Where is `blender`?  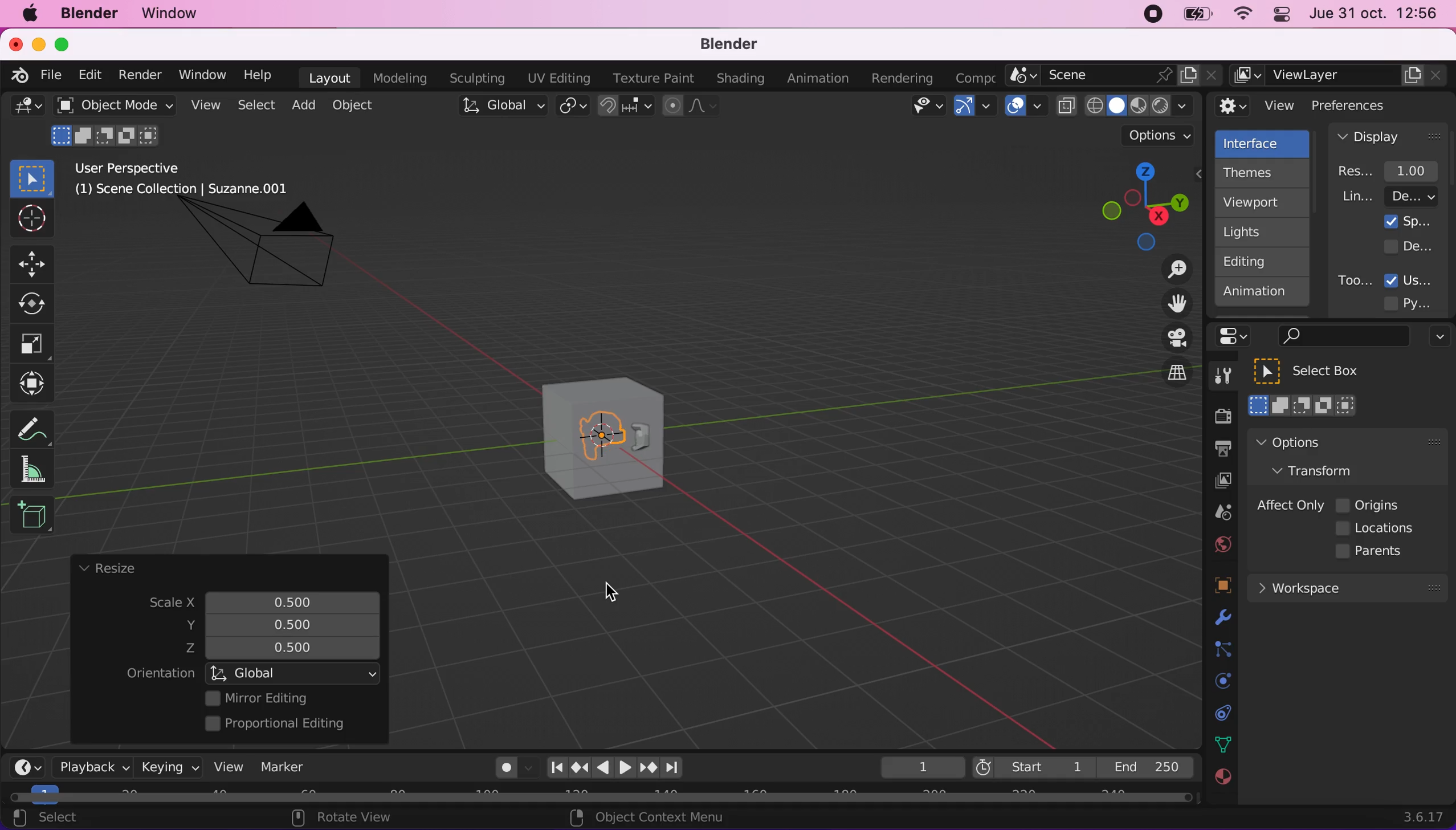
blender is located at coordinates (88, 14).